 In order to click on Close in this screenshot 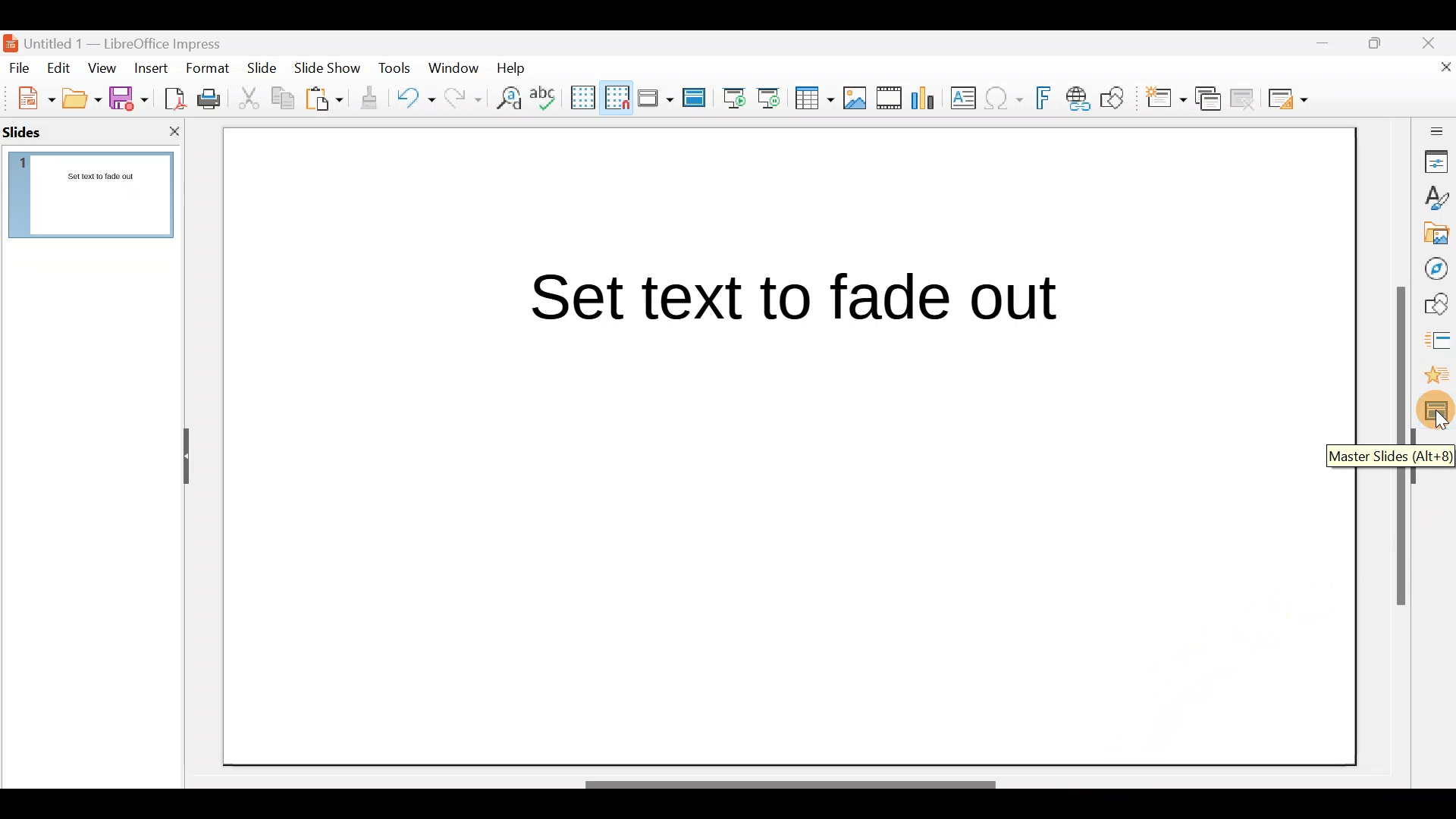, I will do `click(1434, 41)`.